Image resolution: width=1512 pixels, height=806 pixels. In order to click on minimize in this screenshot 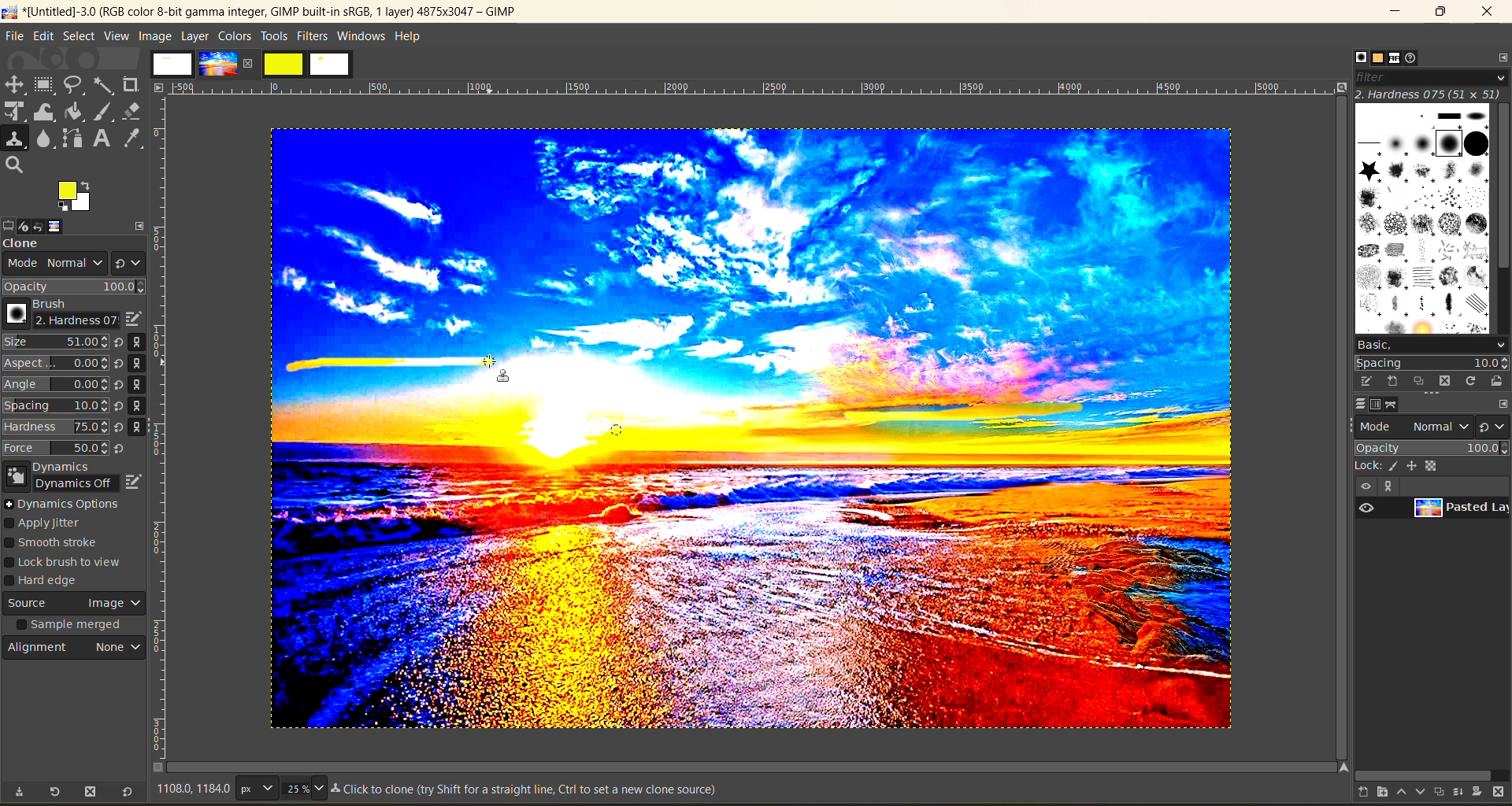, I will do `click(1399, 12)`.